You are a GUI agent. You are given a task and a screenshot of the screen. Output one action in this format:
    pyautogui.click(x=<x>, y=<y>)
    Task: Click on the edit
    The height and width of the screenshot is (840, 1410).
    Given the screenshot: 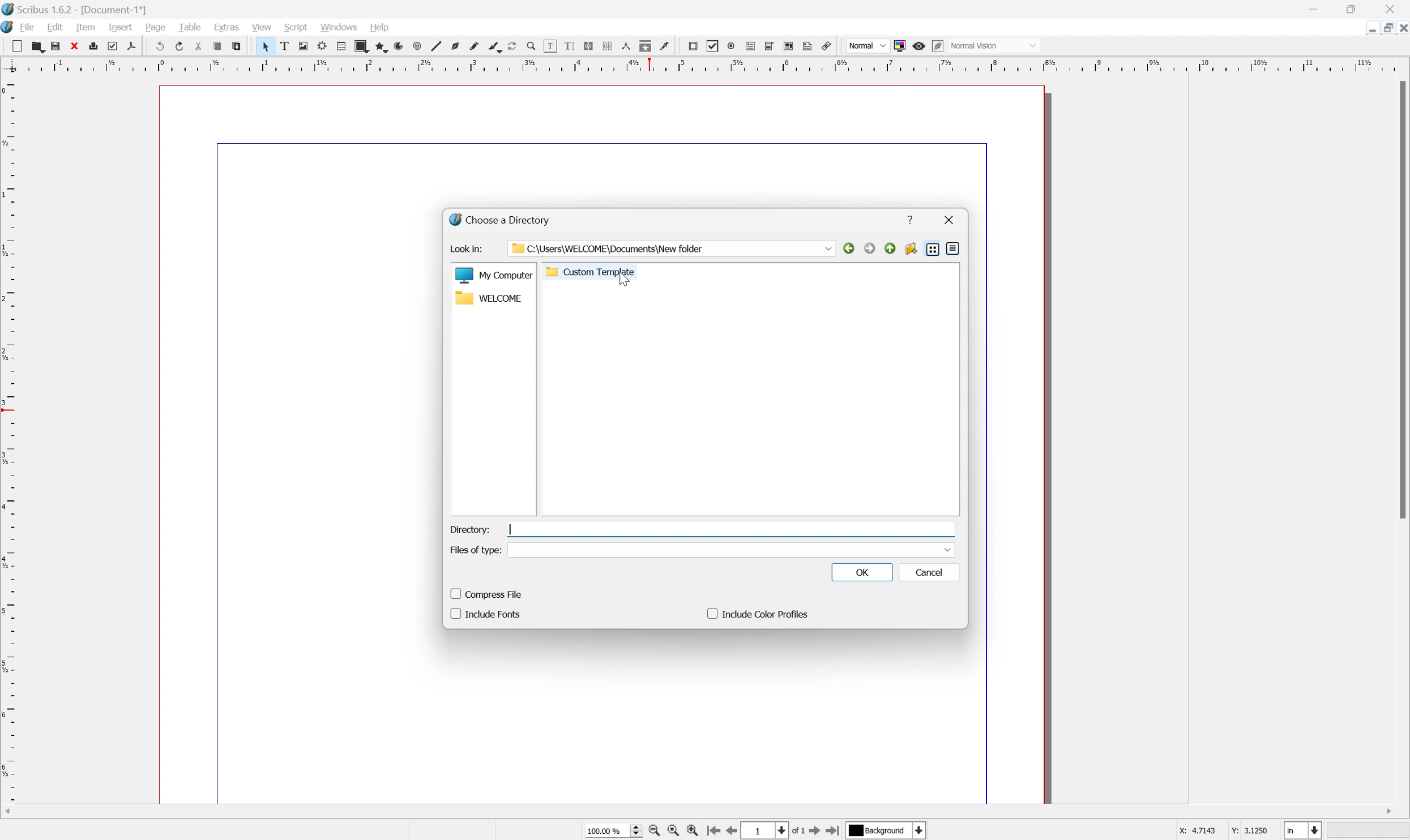 What is the action you would take?
    pyautogui.click(x=57, y=27)
    